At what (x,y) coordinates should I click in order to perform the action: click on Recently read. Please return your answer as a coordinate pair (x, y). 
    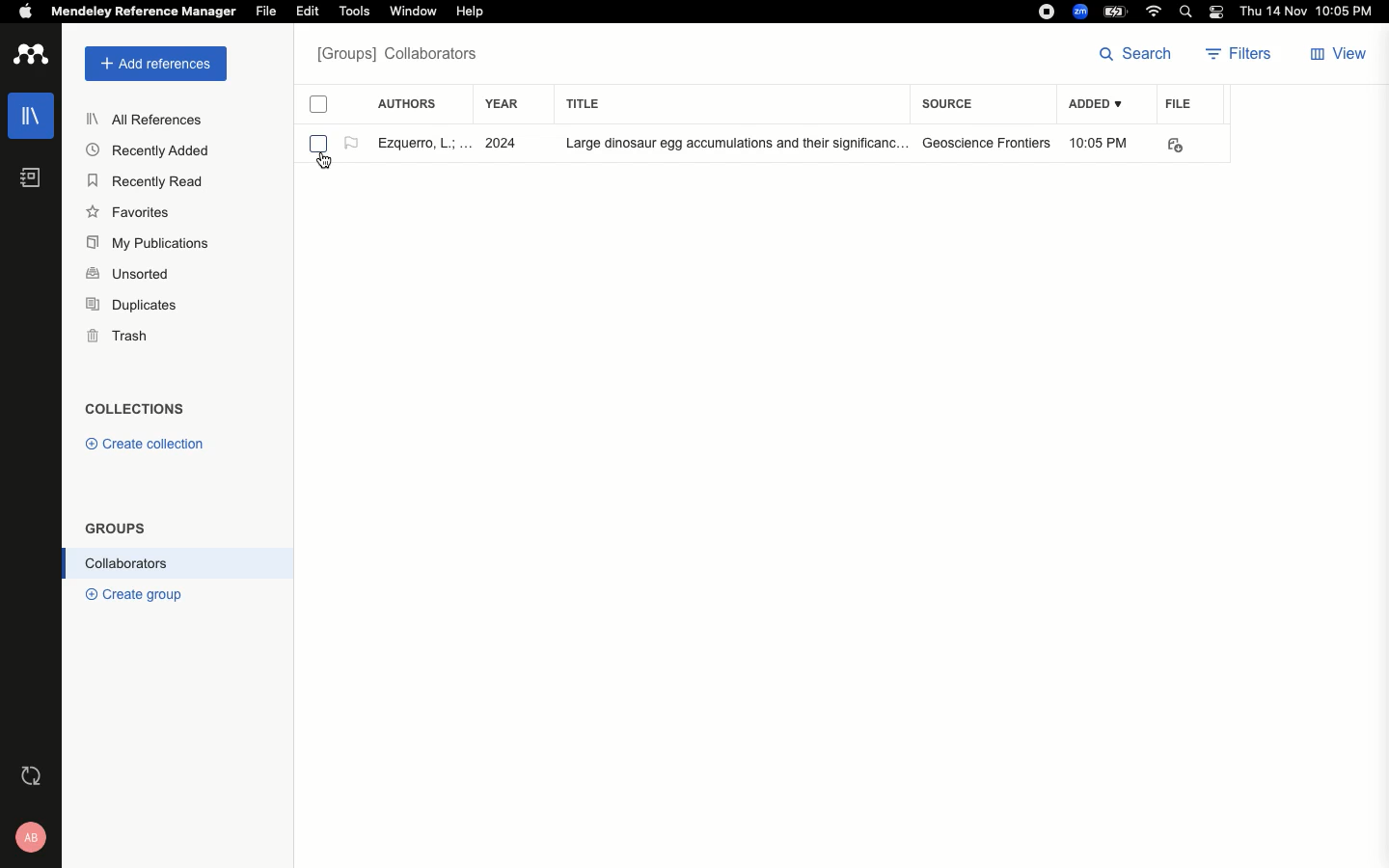
    Looking at the image, I should click on (146, 182).